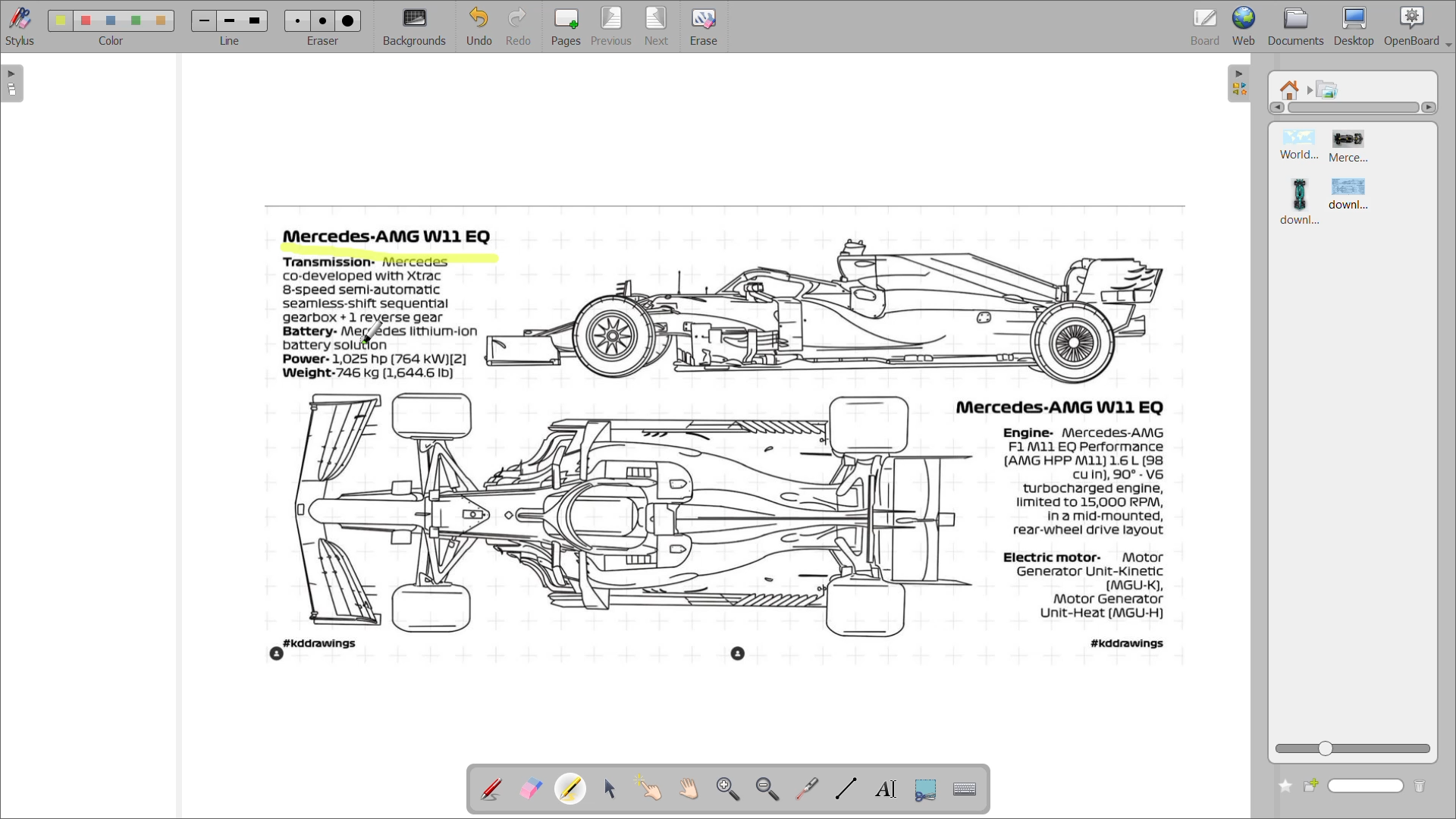 This screenshot has height=819, width=1456. Describe the element at coordinates (654, 789) in the screenshot. I see `interact with items` at that location.